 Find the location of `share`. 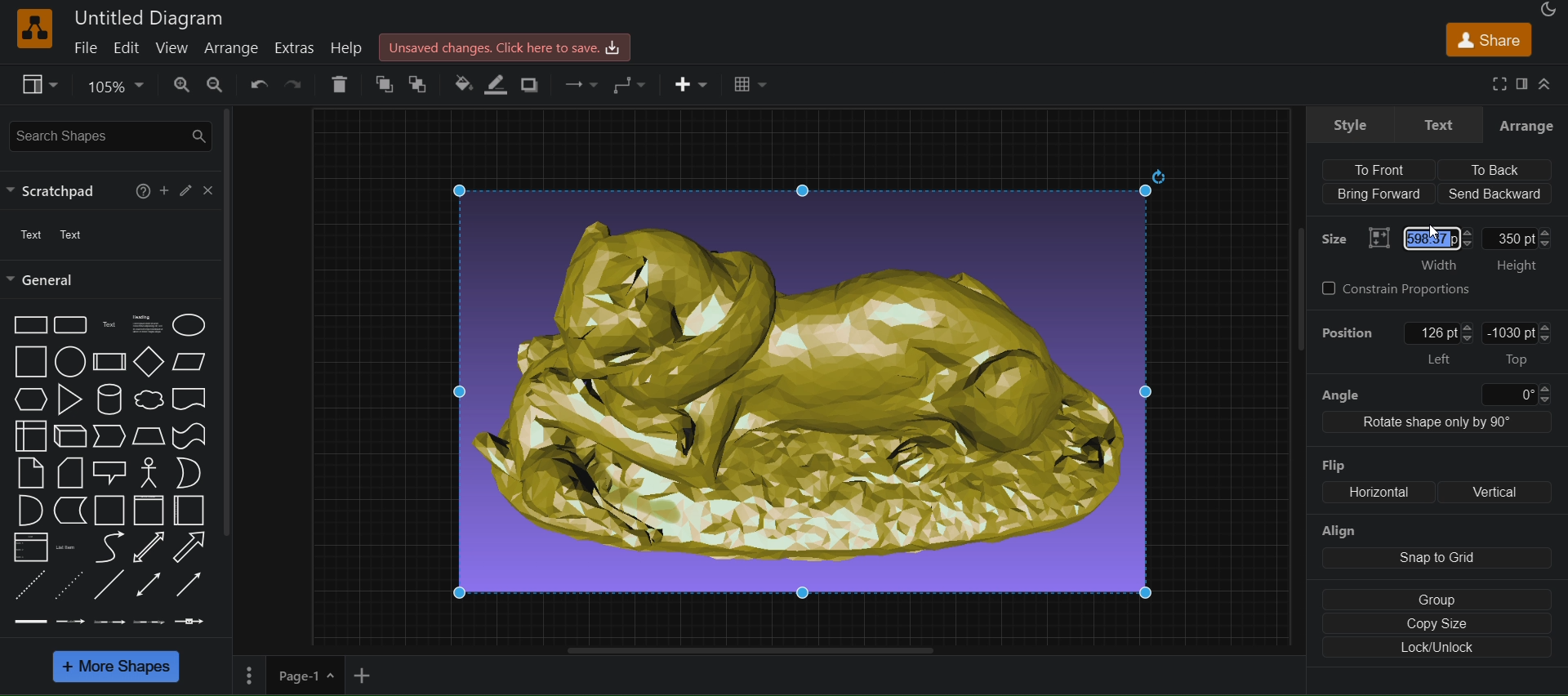

share is located at coordinates (1486, 39).